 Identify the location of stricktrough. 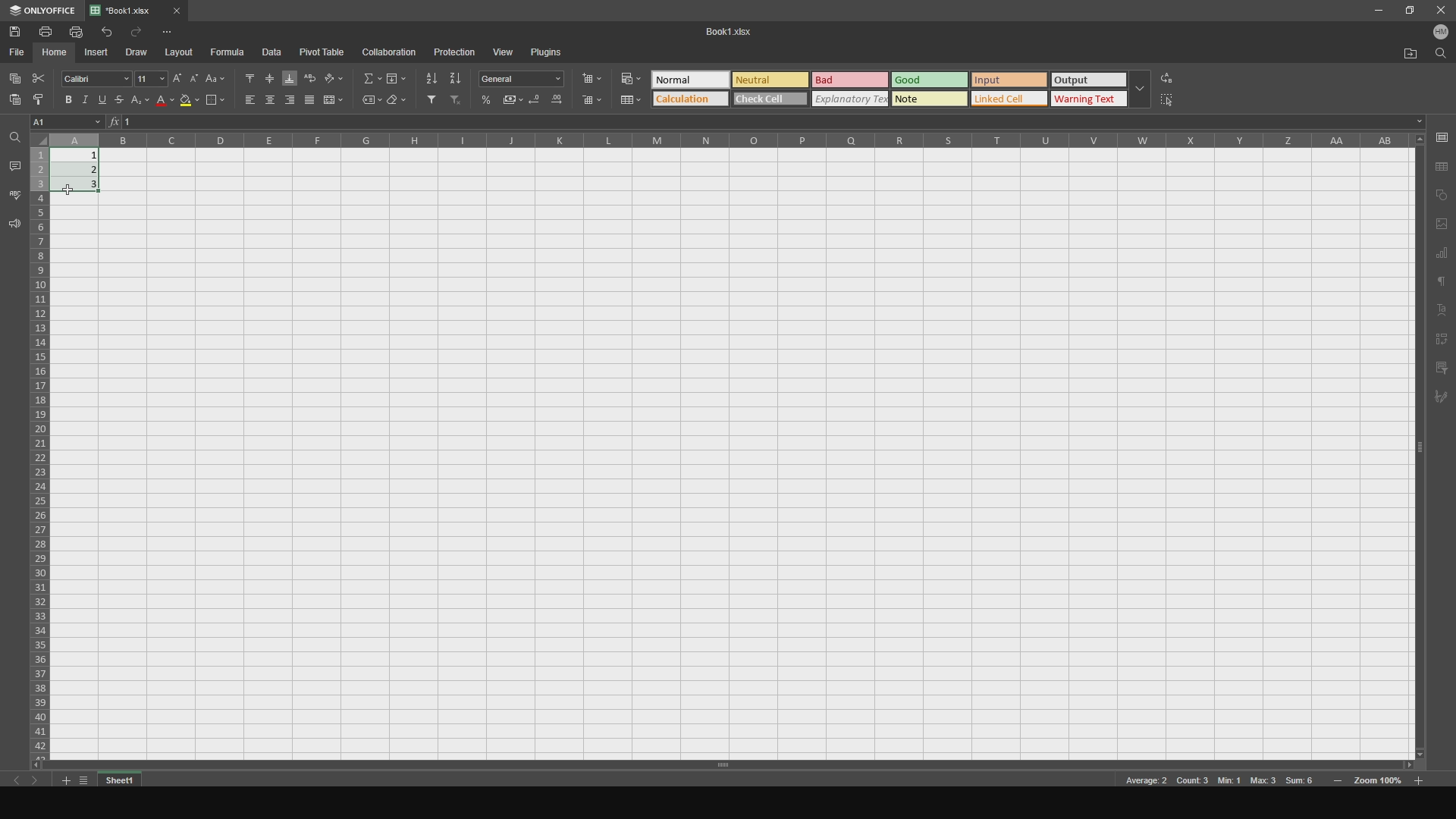
(124, 103).